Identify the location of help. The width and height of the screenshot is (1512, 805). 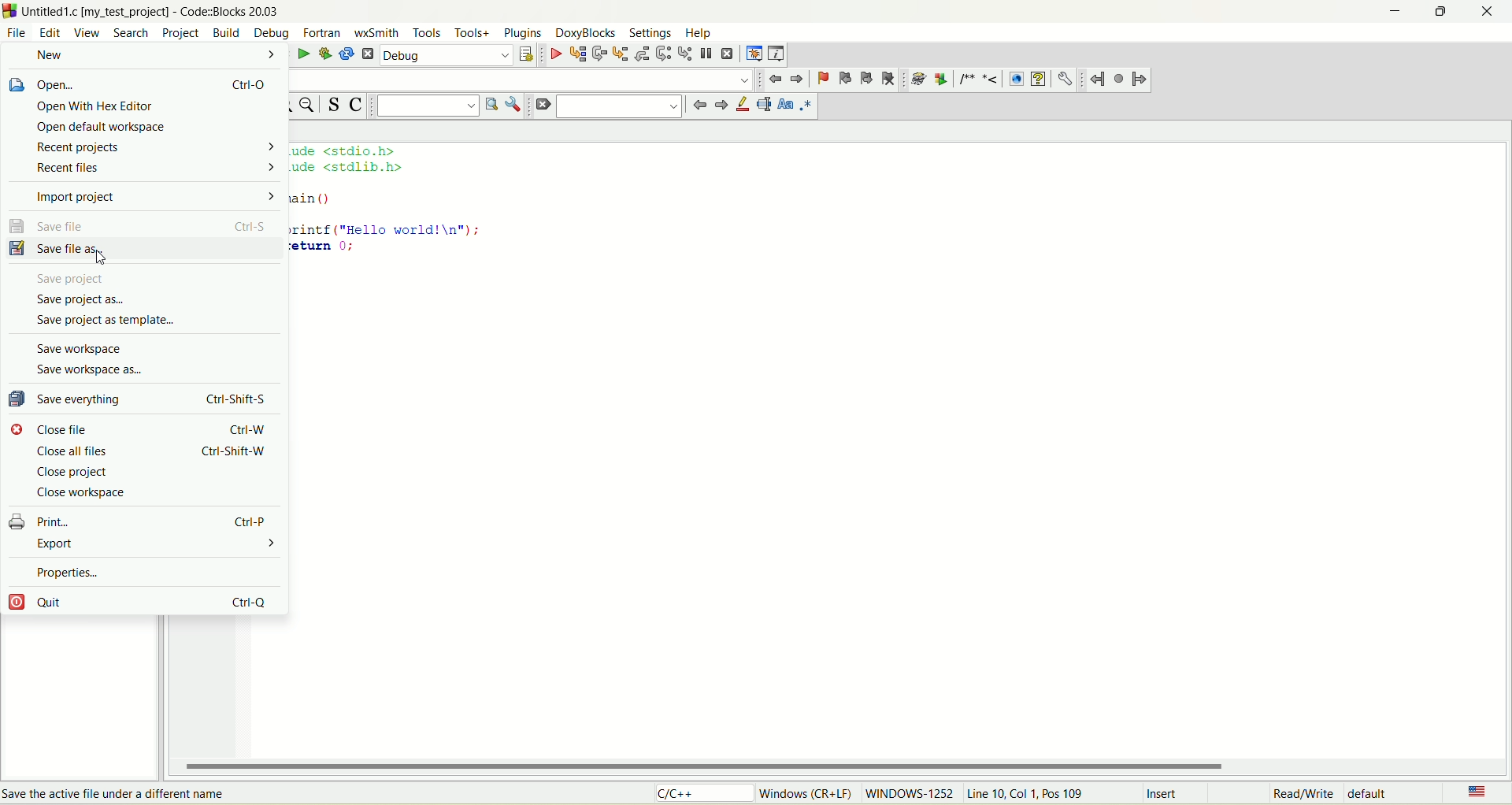
(699, 34).